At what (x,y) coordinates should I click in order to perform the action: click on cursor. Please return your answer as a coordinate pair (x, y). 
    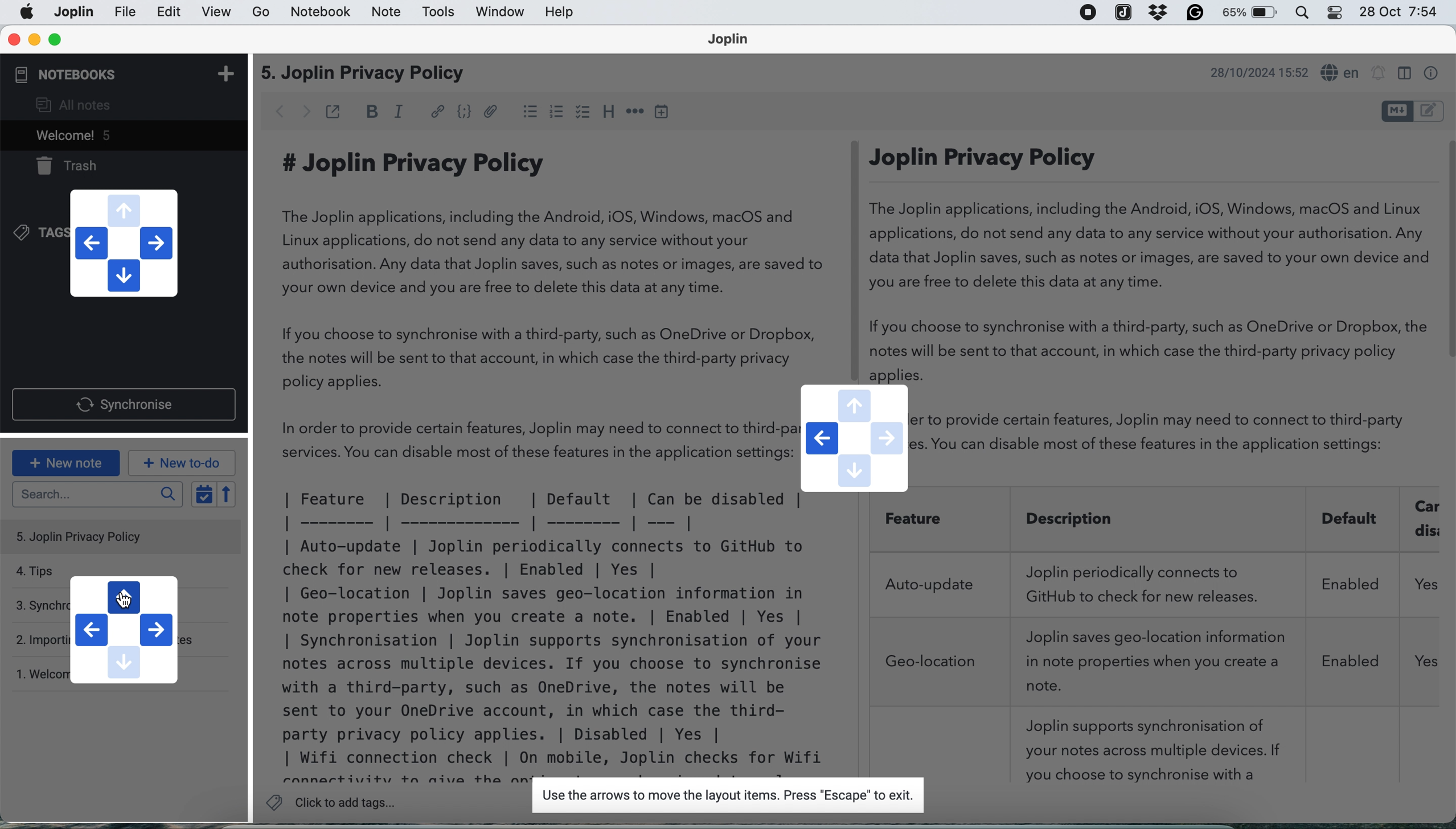
    Looking at the image, I should click on (126, 598).